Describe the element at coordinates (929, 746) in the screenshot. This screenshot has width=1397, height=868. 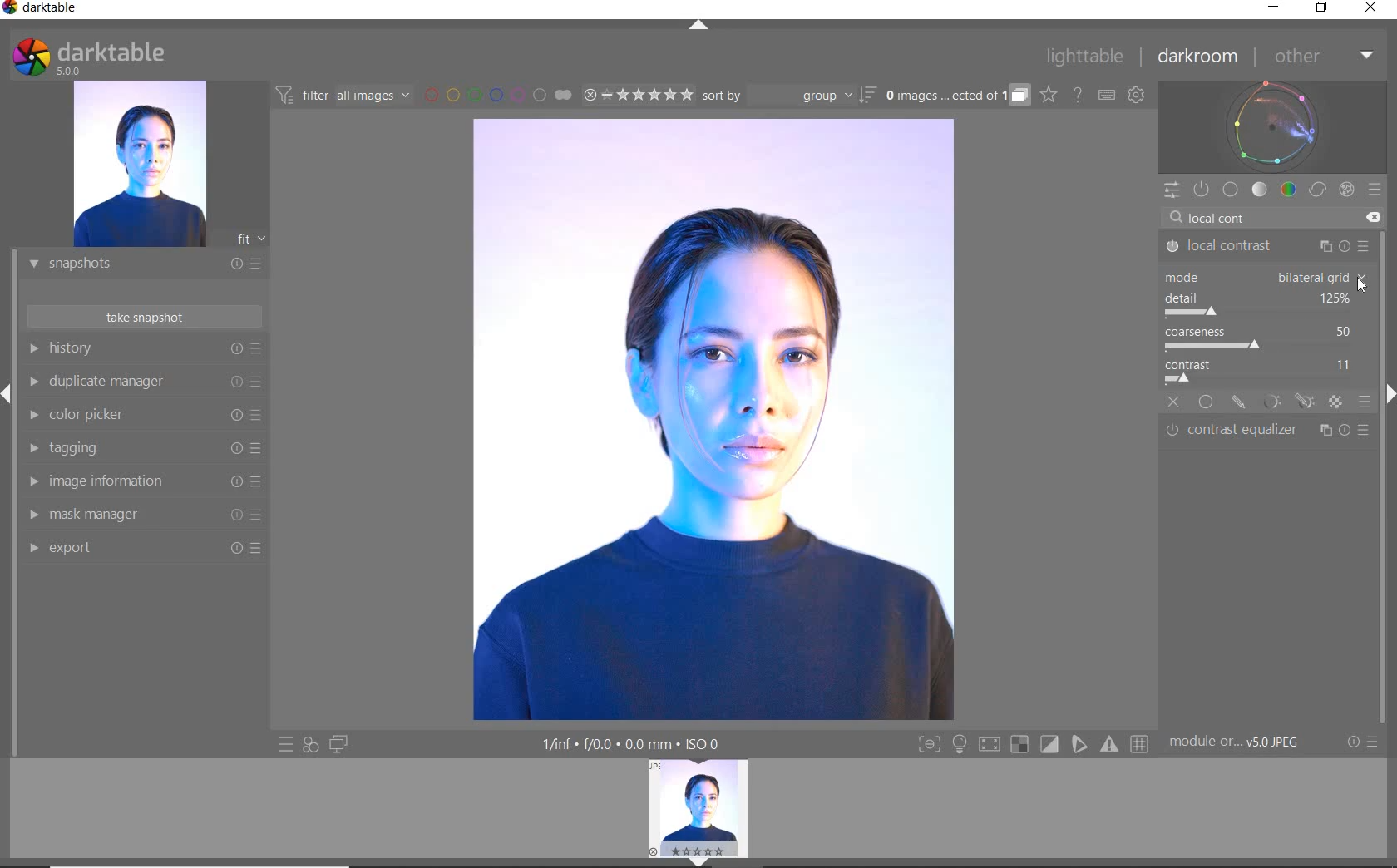
I see `Button` at that location.